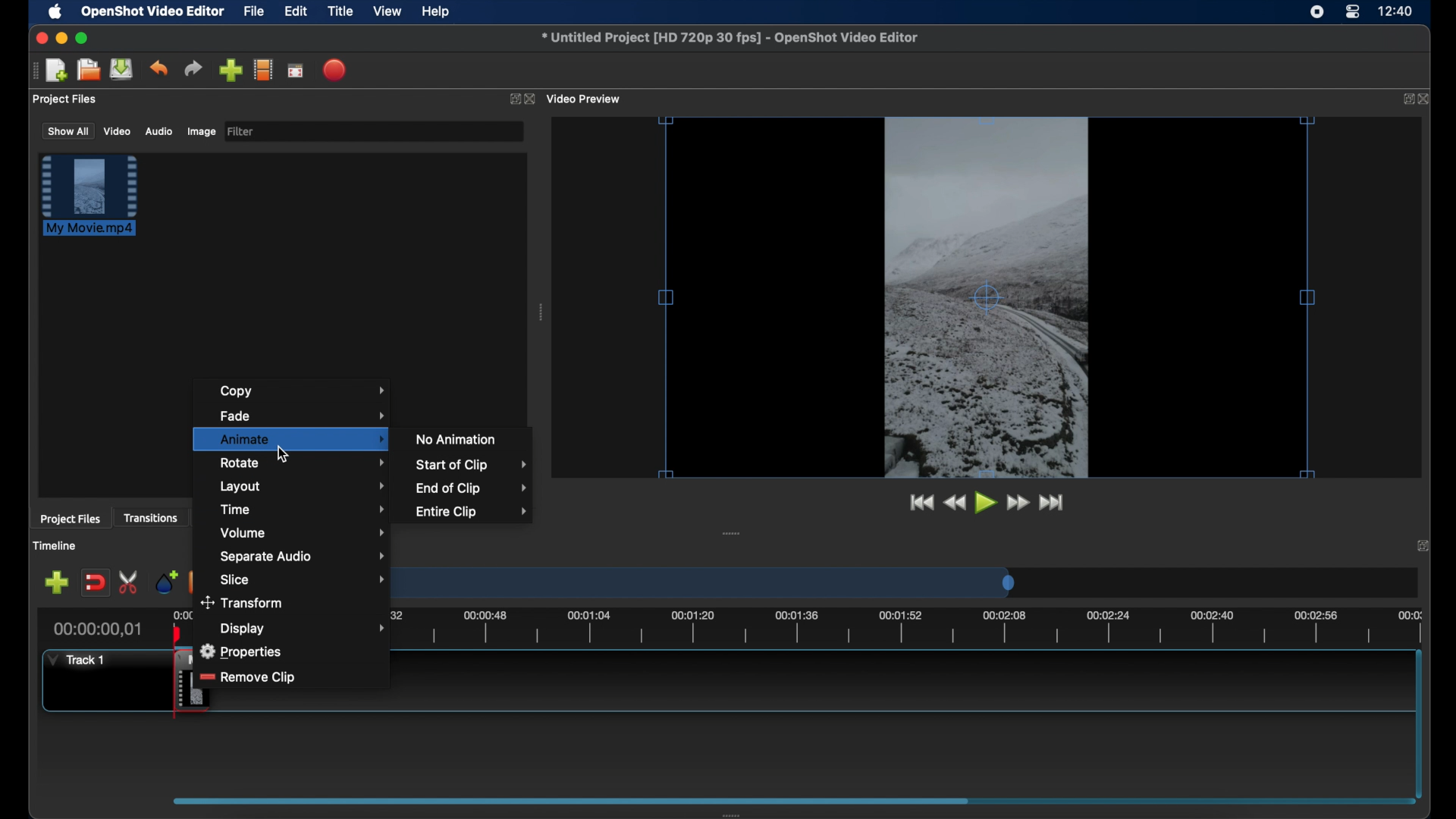  I want to click on separate audio menu, so click(303, 557).